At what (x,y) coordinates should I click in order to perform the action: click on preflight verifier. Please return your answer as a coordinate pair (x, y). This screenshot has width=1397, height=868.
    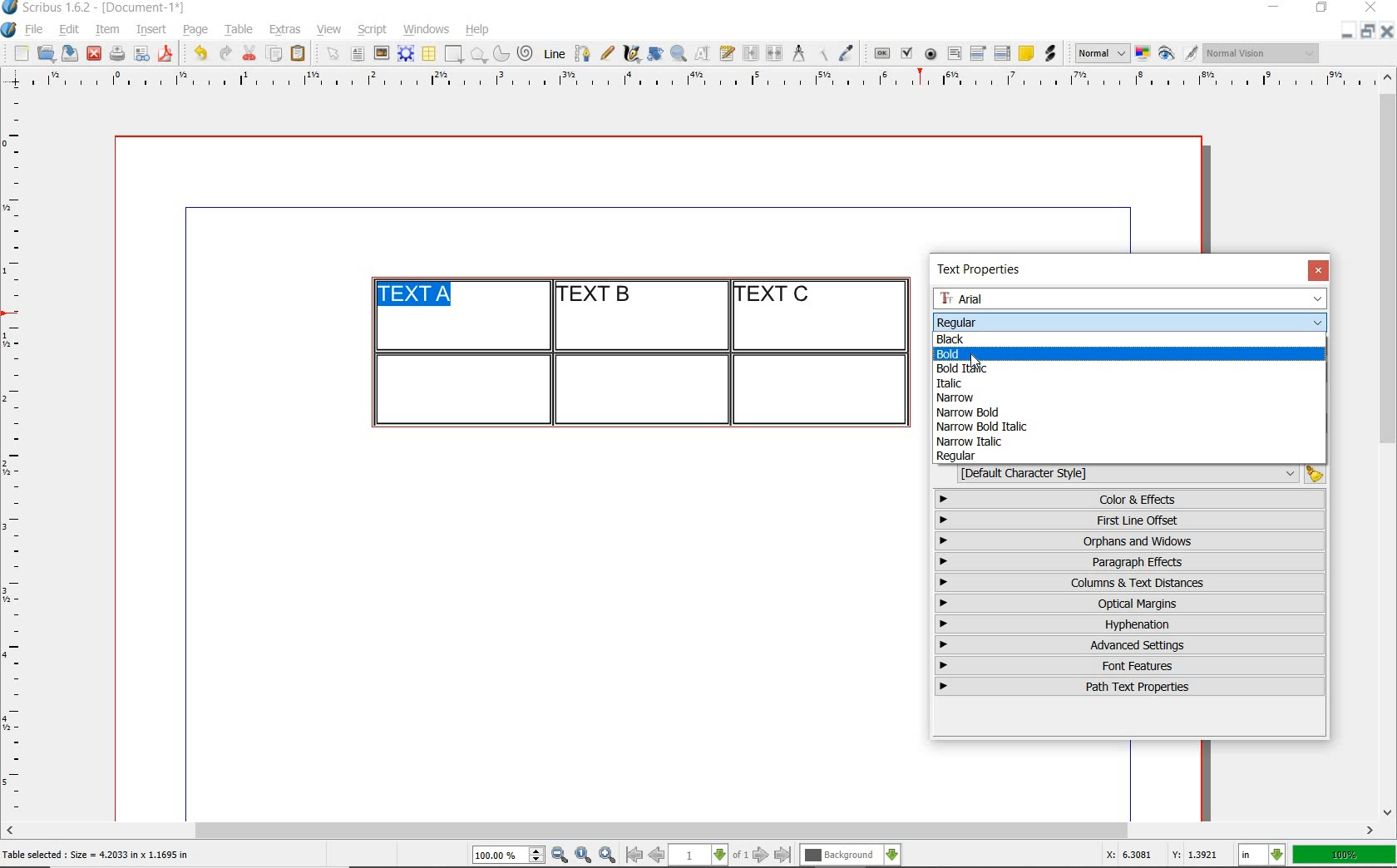
    Looking at the image, I should click on (142, 55).